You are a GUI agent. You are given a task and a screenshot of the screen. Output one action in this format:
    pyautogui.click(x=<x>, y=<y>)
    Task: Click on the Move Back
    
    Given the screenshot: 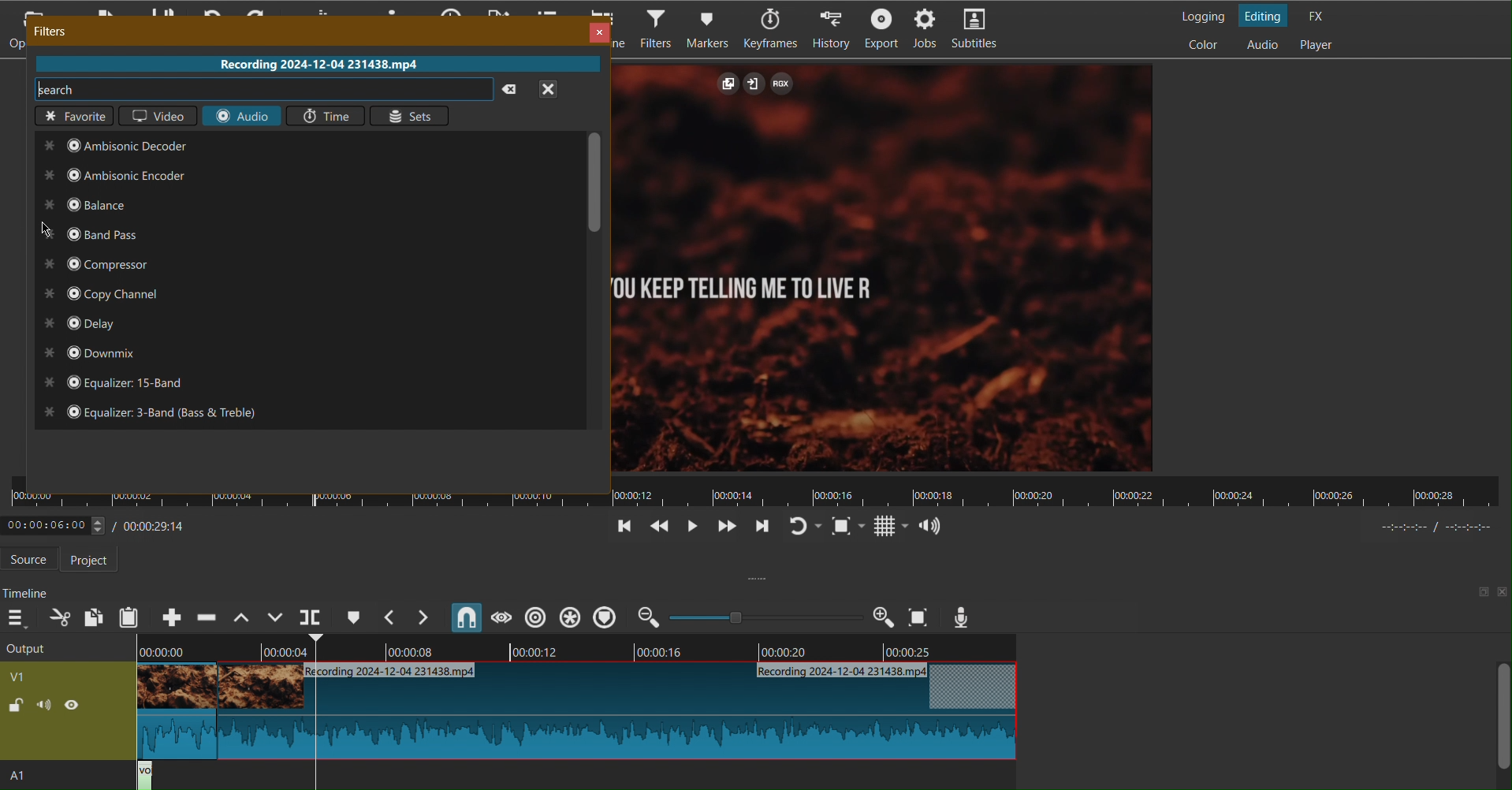 What is the action you would take?
    pyautogui.click(x=657, y=528)
    